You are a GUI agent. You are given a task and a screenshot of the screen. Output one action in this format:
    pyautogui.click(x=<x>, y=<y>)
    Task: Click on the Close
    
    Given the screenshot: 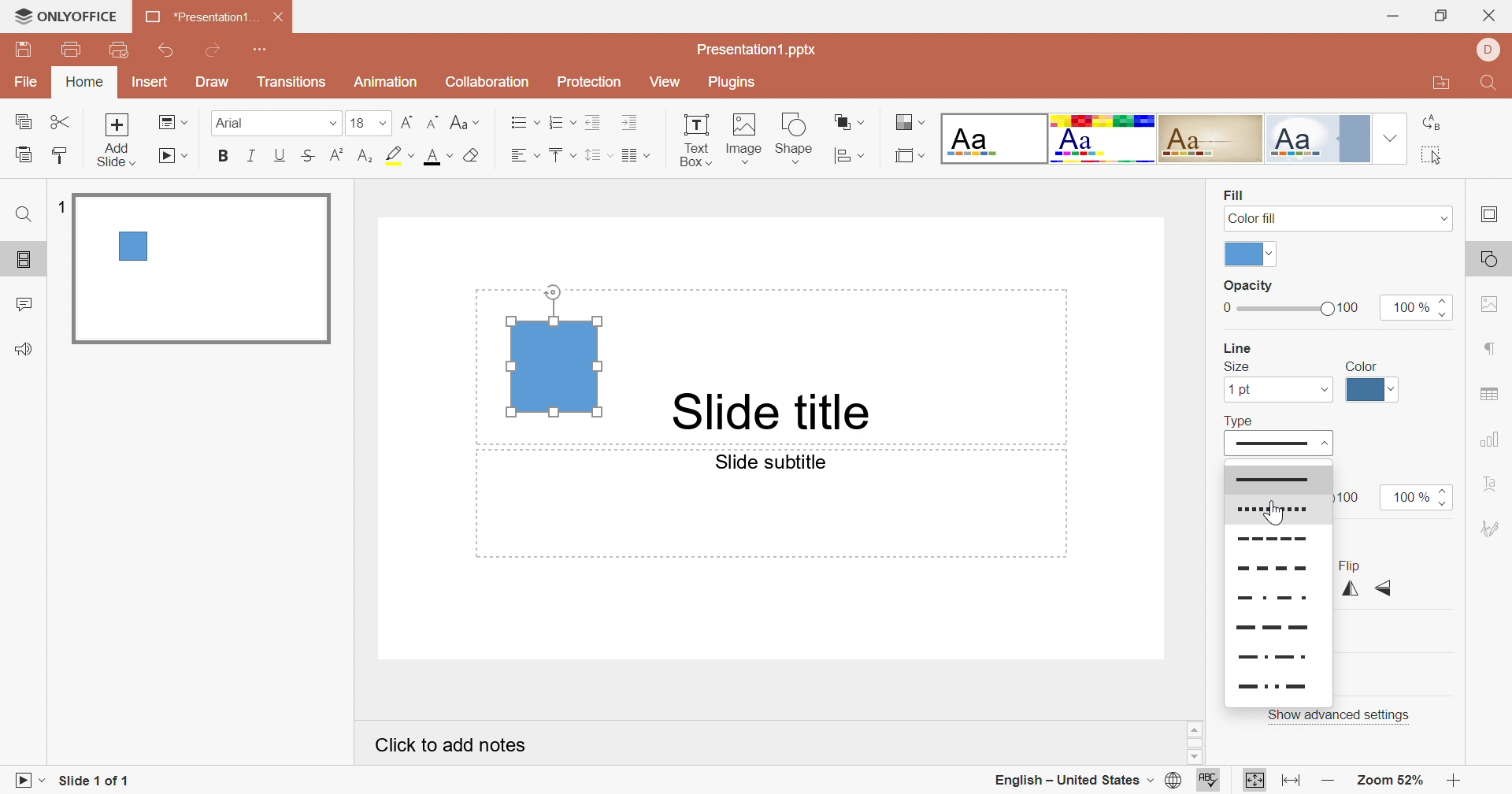 What is the action you would take?
    pyautogui.click(x=1490, y=16)
    